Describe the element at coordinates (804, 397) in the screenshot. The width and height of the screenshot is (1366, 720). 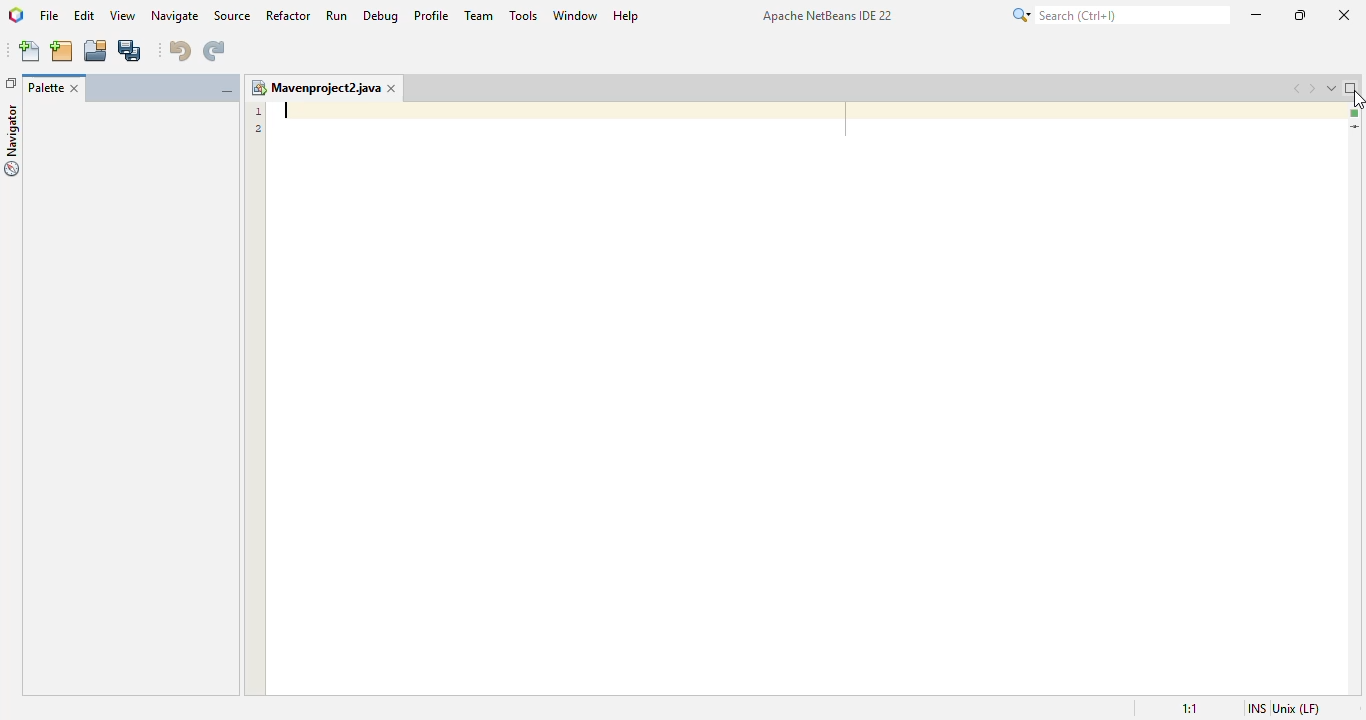
I see `editor window` at that location.